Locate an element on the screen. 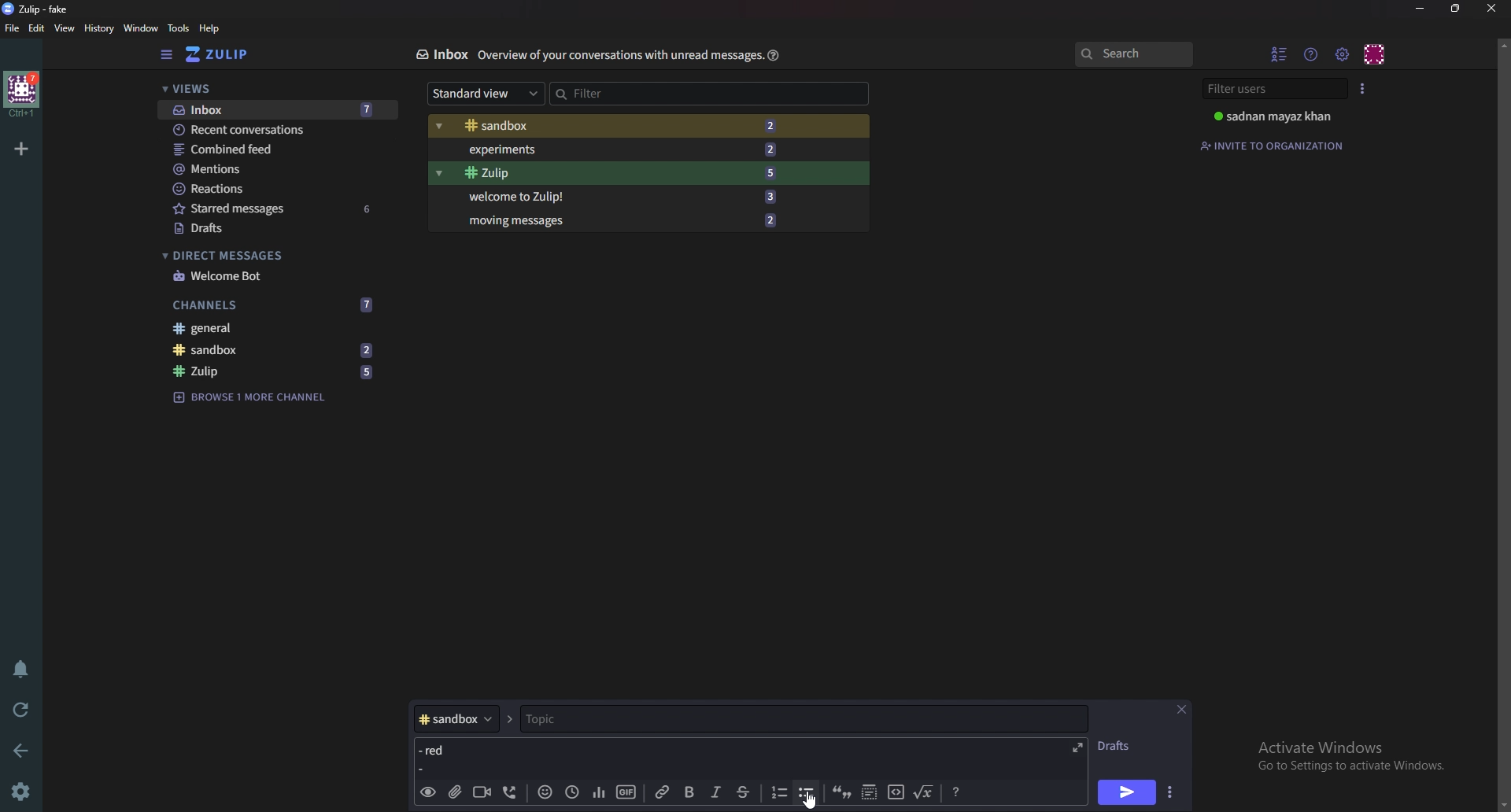 The image size is (1511, 812). Reactions is located at coordinates (276, 189).